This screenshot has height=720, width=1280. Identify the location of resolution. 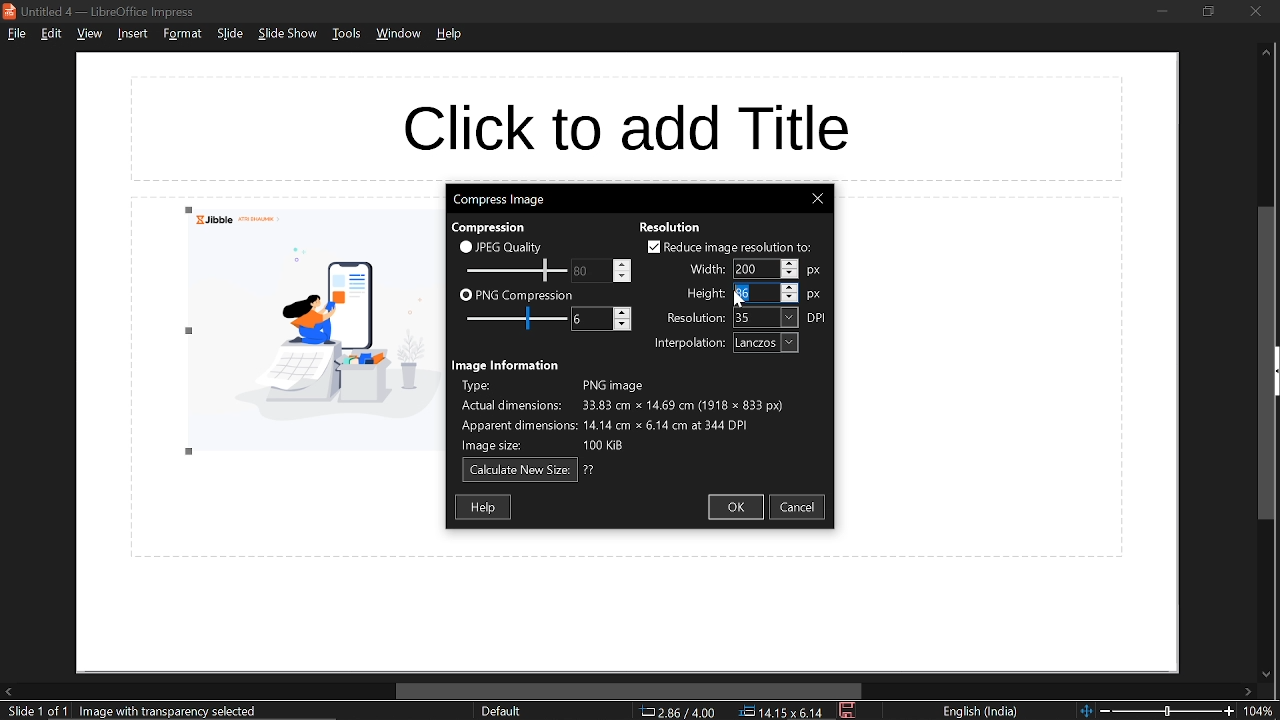
(695, 317).